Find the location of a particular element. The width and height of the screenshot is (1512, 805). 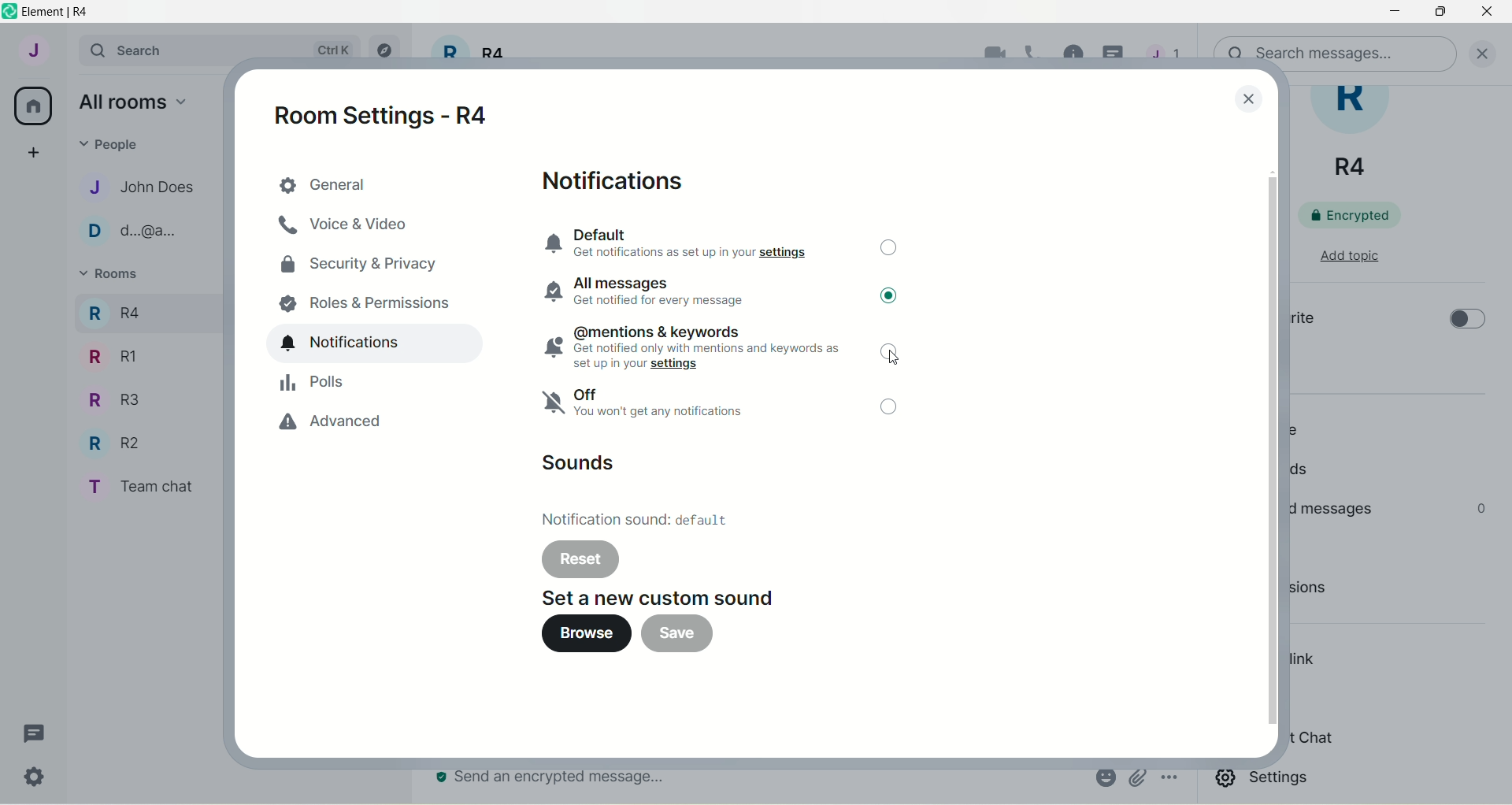

all rooms is located at coordinates (132, 101).